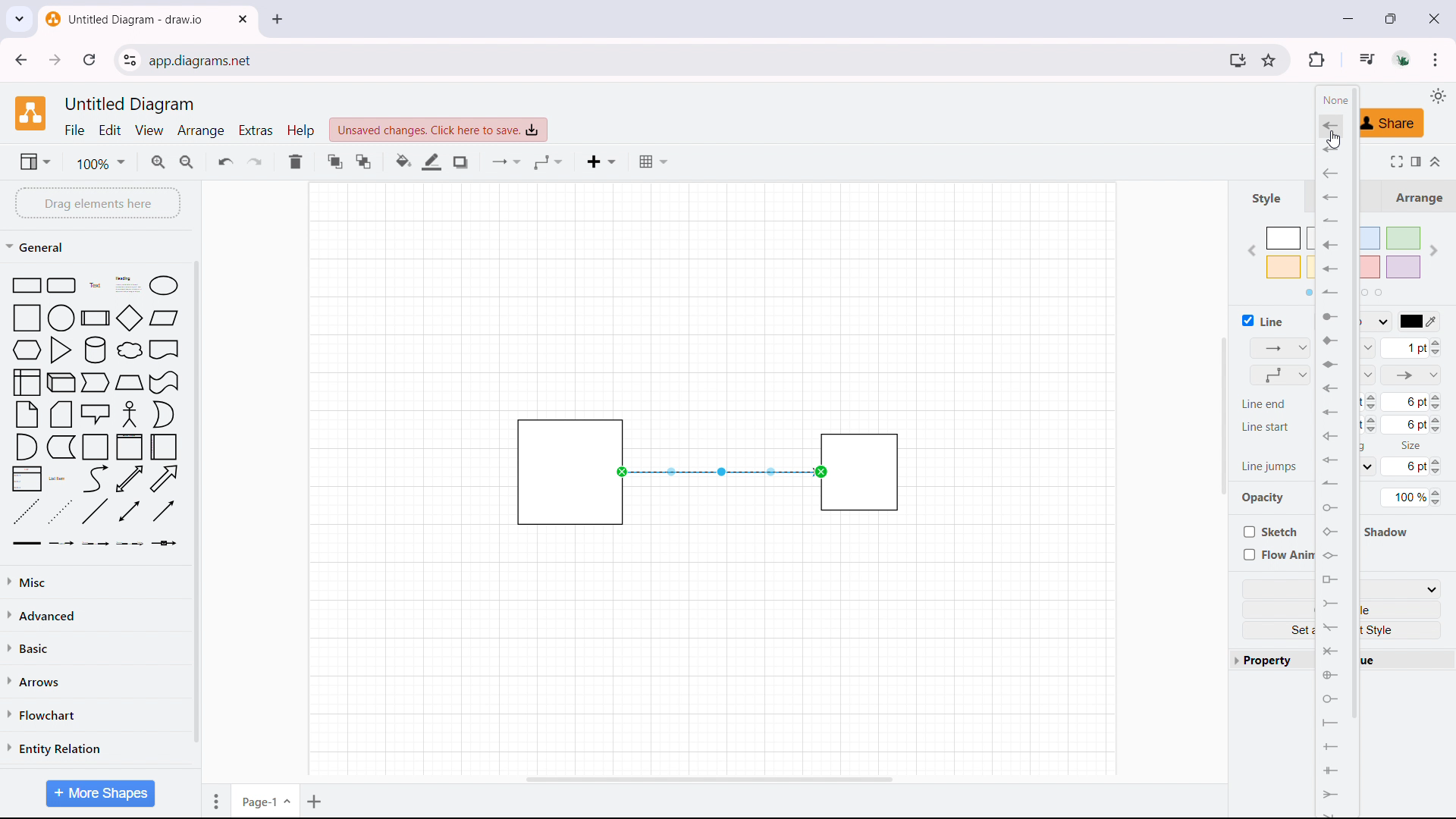 Image resolution: width=1456 pixels, height=819 pixels. I want to click on arrange, so click(202, 130).